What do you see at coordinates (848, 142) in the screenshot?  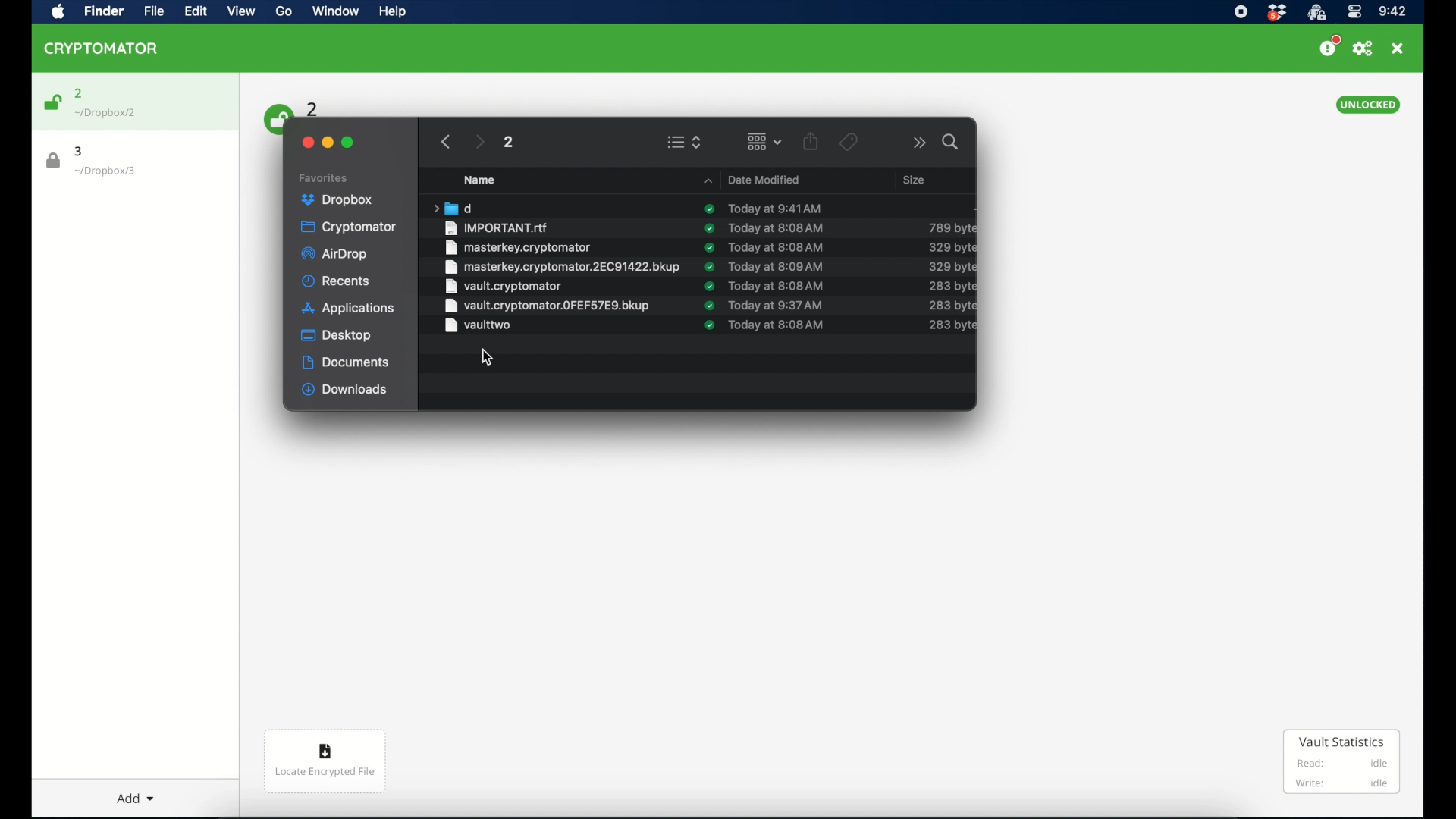 I see `tags` at bounding box center [848, 142].